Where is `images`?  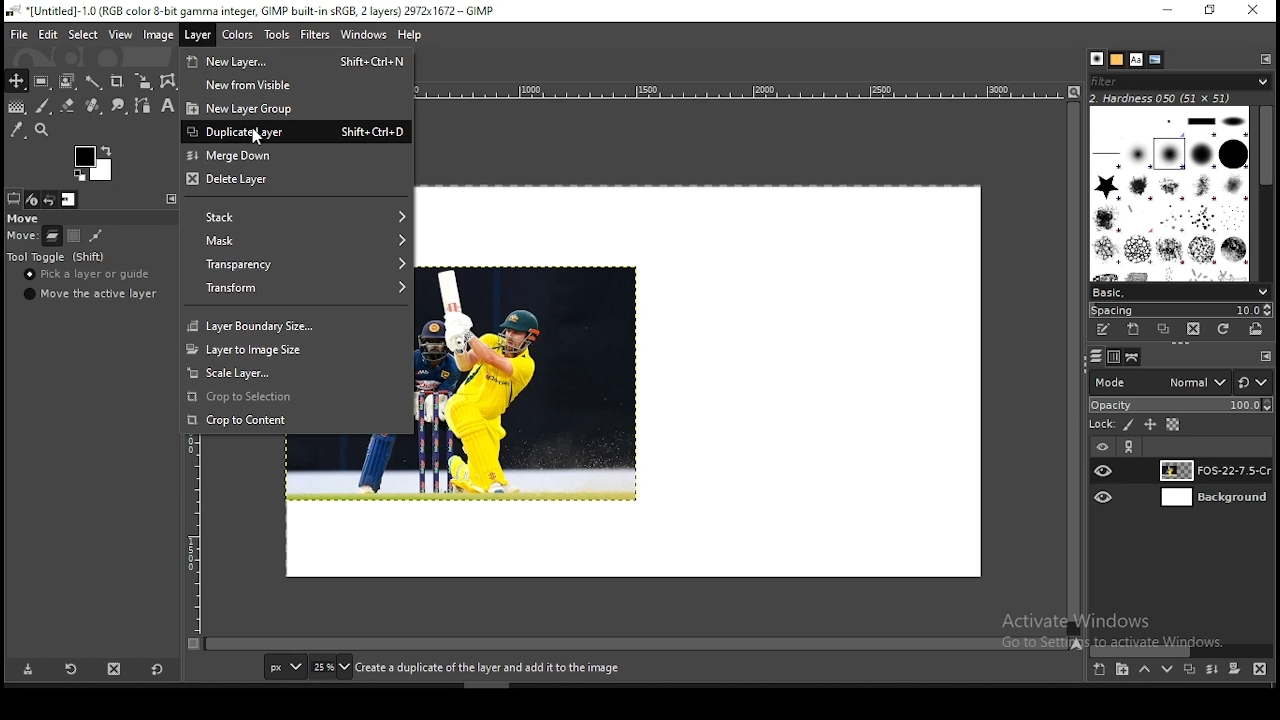
images is located at coordinates (69, 200).